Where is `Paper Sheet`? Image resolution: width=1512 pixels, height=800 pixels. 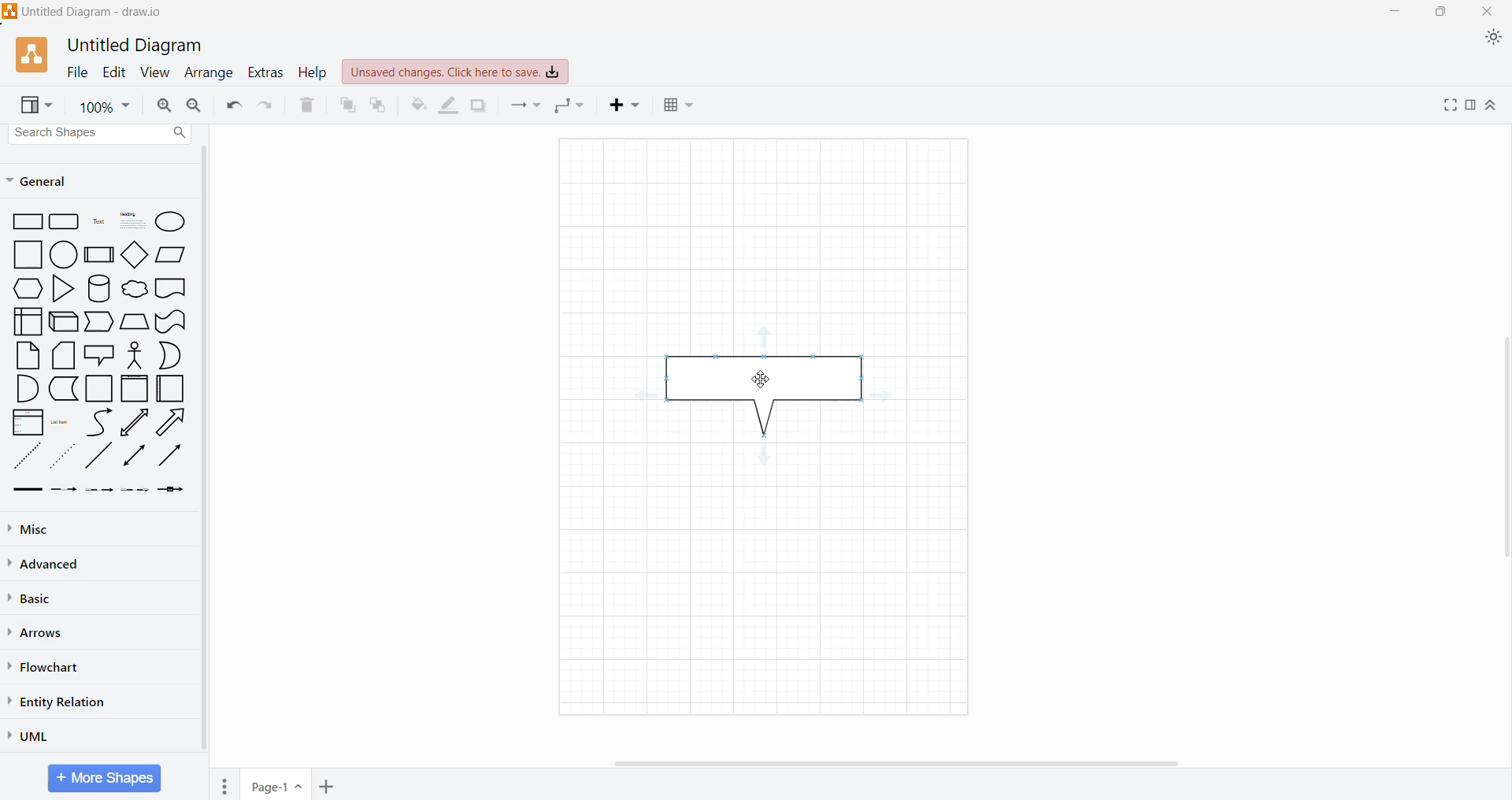 Paper Sheet is located at coordinates (28, 355).